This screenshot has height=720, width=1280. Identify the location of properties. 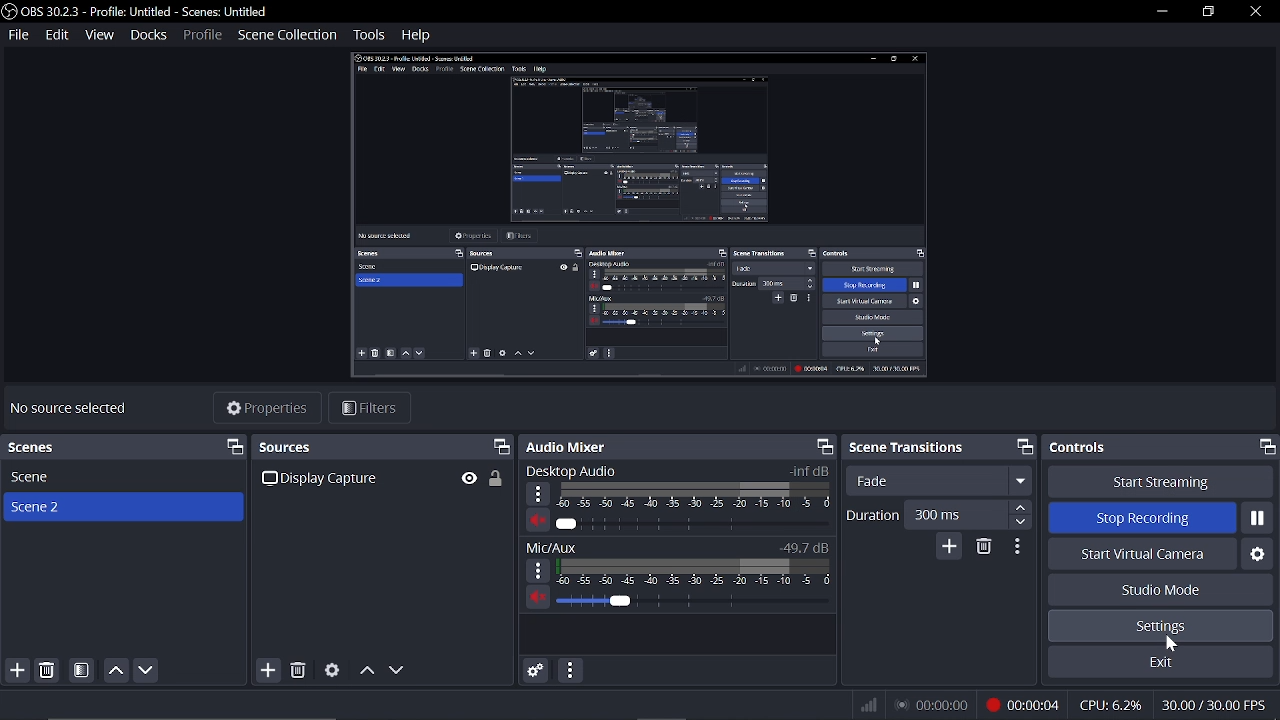
(266, 410).